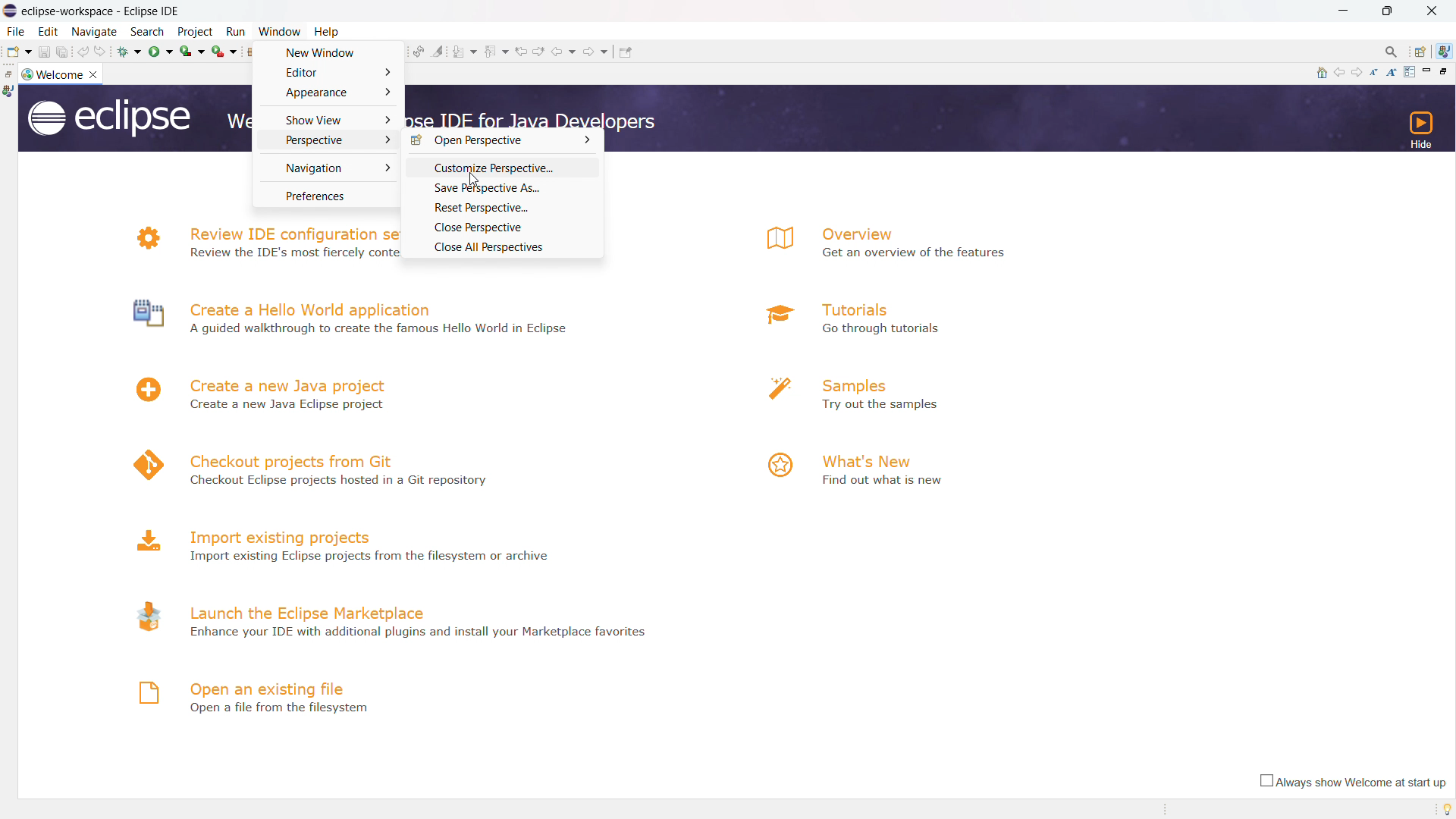 Image resolution: width=1456 pixels, height=819 pixels. Describe the element at coordinates (60, 74) in the screenshot. I see `welcome` at that location.